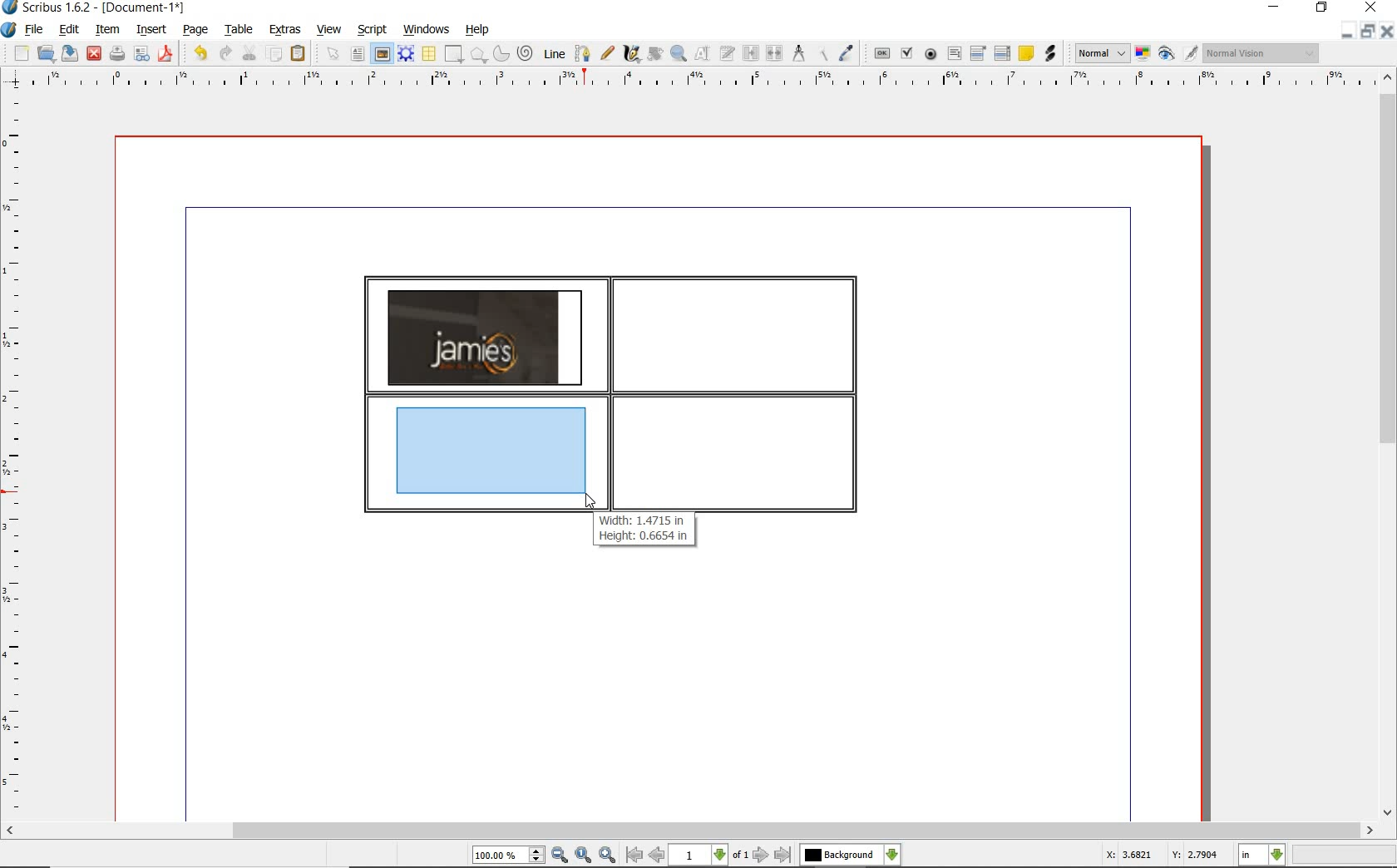  I want to click on preflight verifier, so click(141, 55).